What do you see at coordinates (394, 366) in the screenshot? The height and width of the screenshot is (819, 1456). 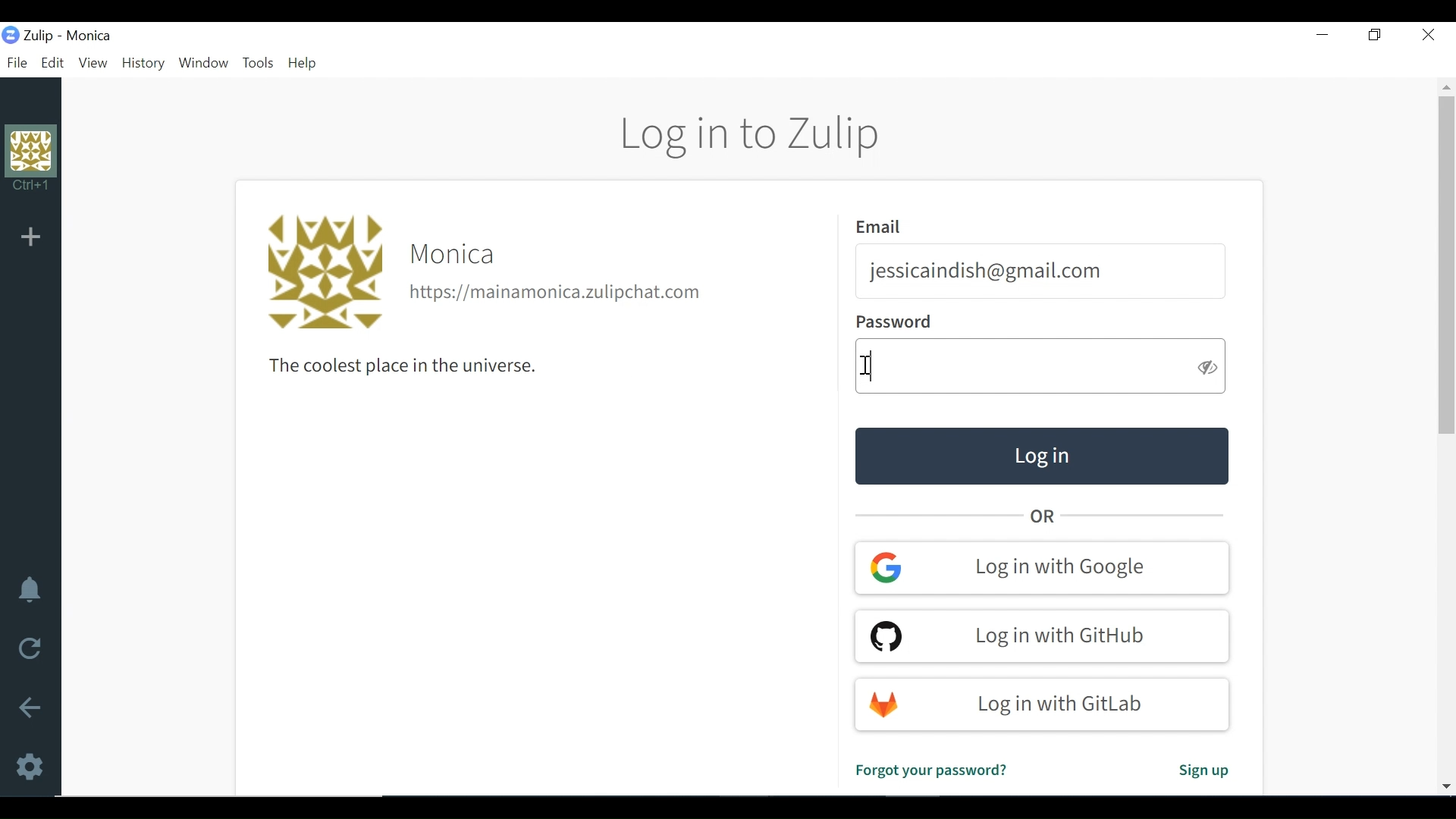 I see `The coolest place in the universe.` at bounding box center [394, 366].